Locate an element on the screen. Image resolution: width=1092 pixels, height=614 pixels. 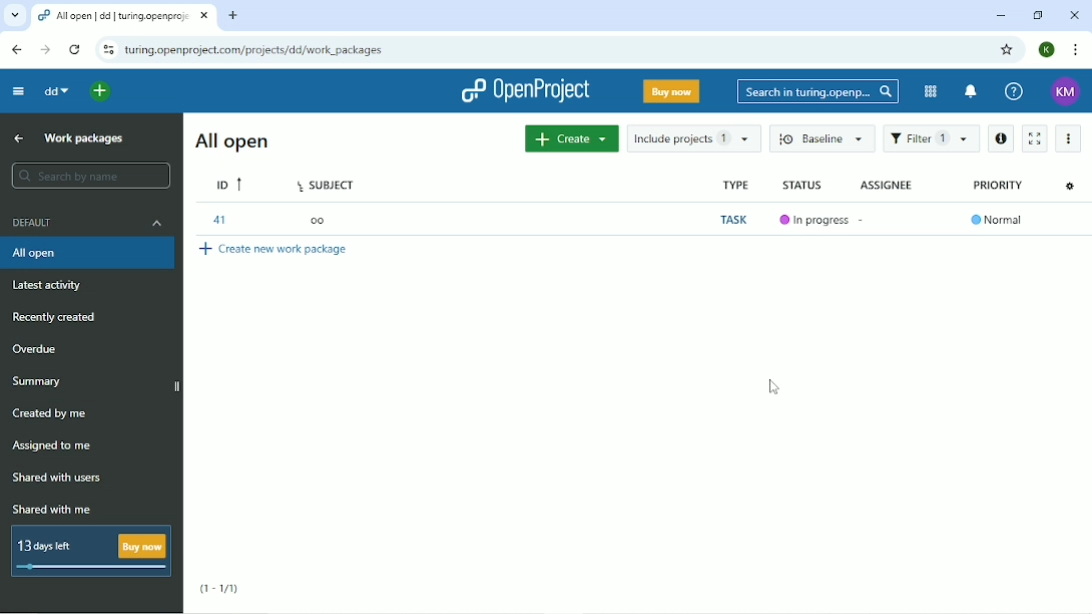
To notification center is located at coordinates (969, 90).